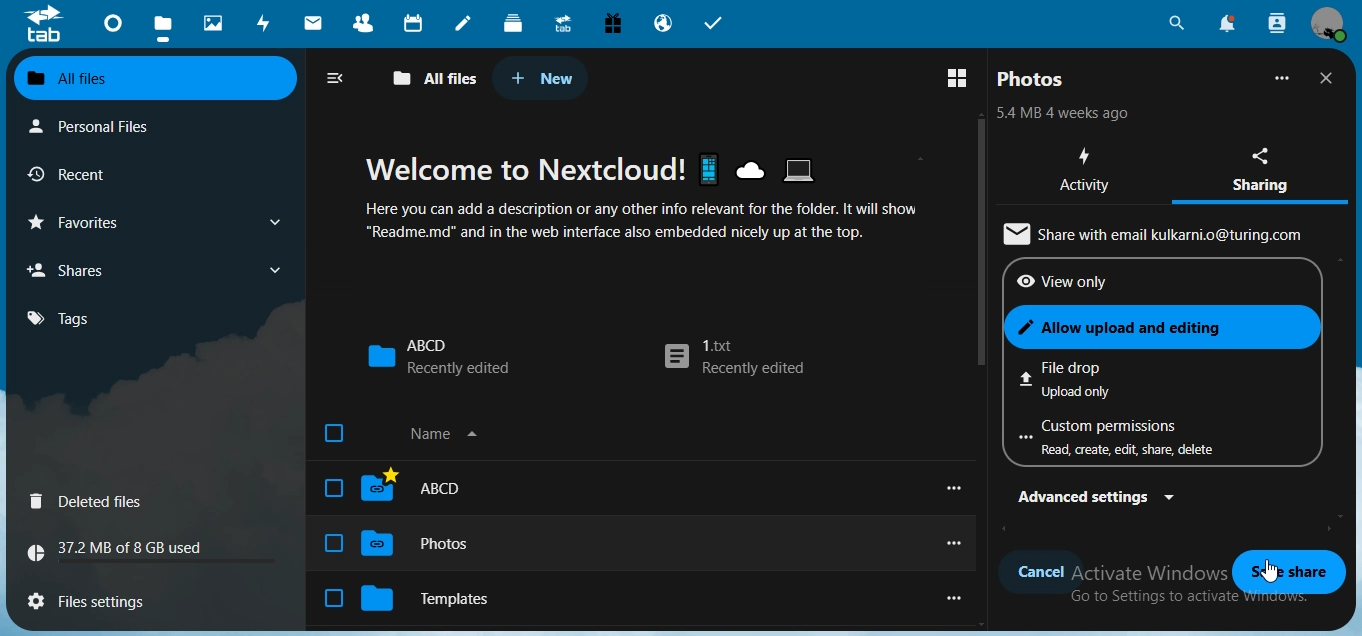  I want to click on text, so click(124, 551).